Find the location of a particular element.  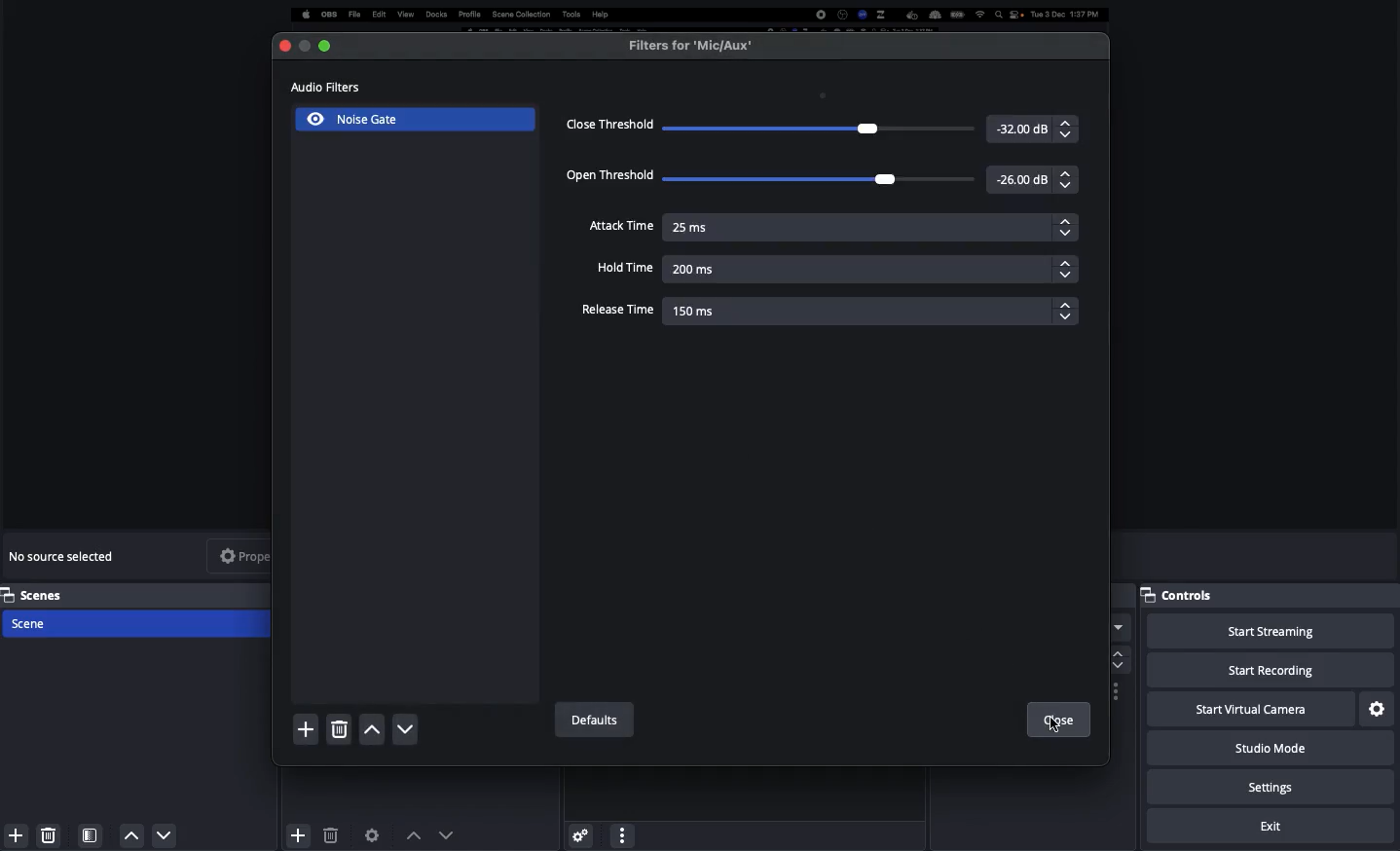

Exit is located at coordinates (1273, 827).